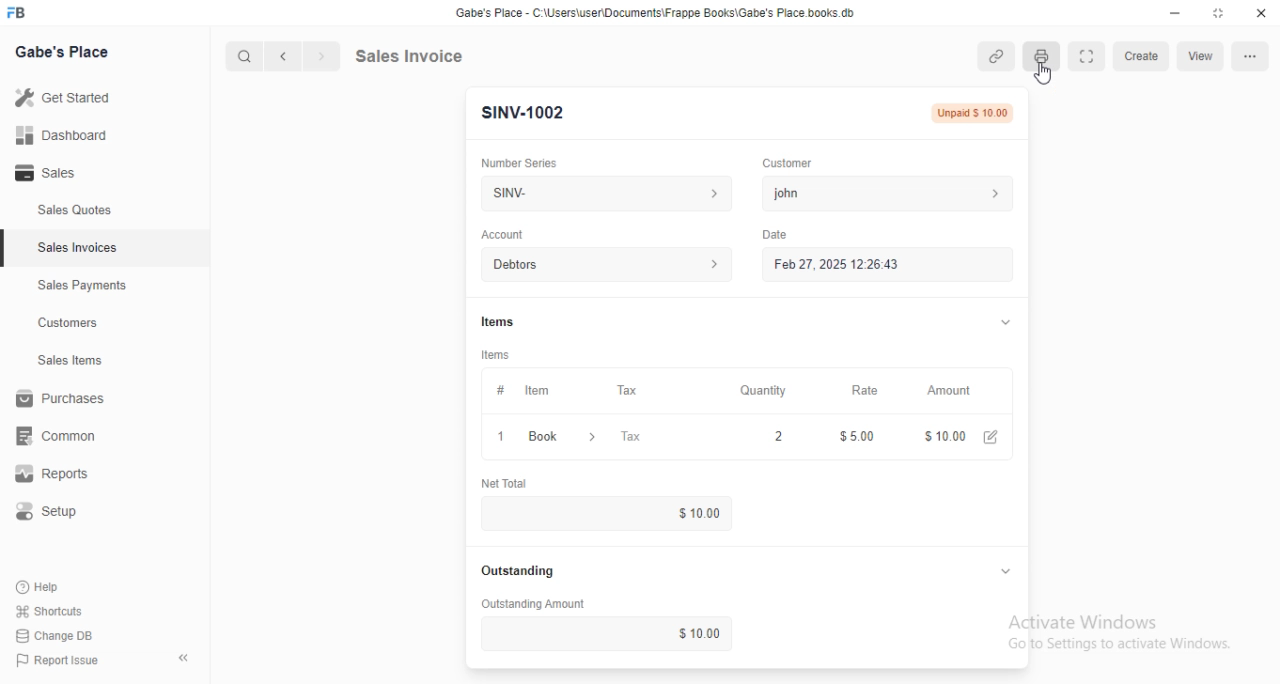  Describe the element at coordinates (75, 209) in the screenshot. I see `sales quotes` at that location.